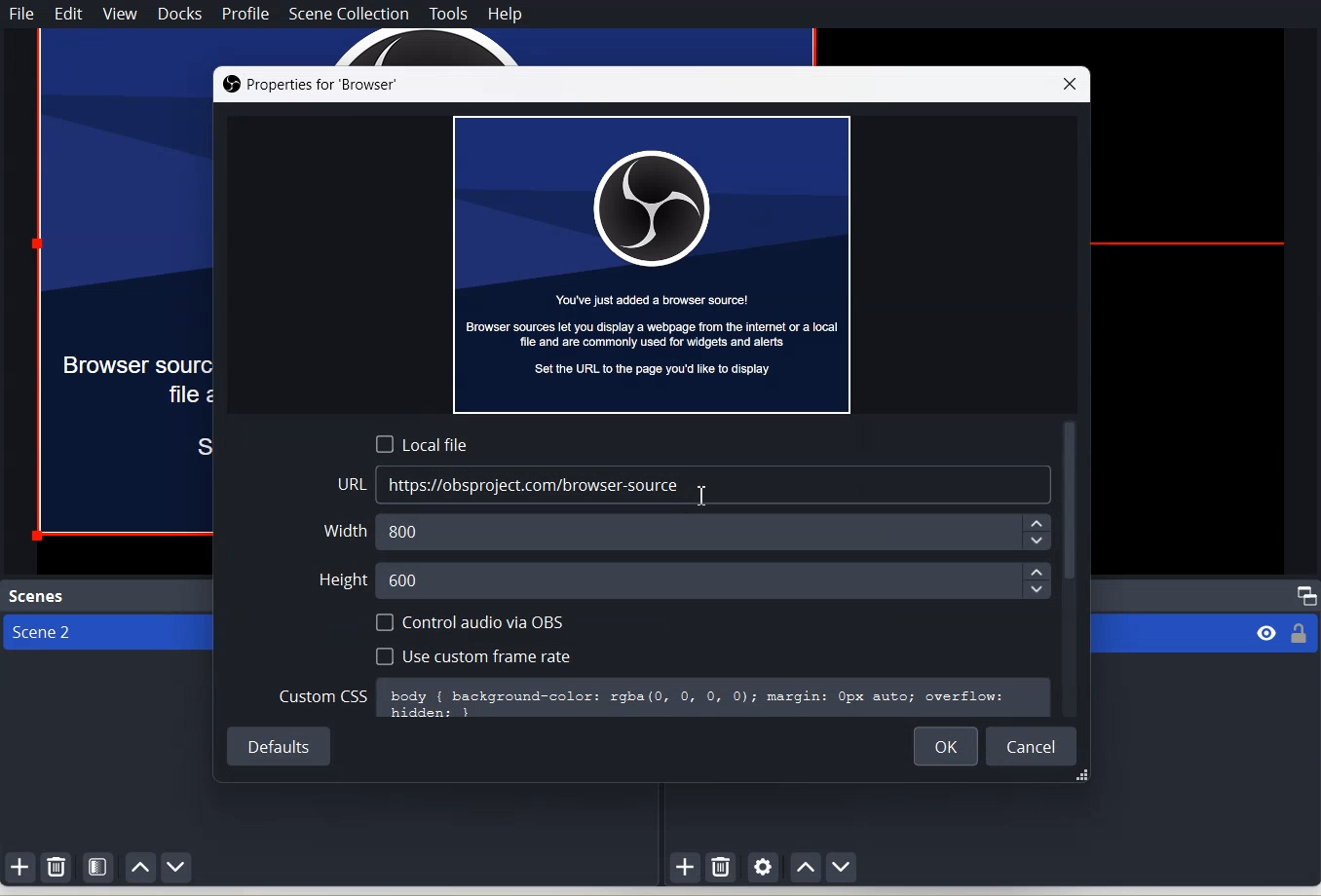  What do you see at coordinates (721, 533) in the screenshot?
I see `800` at bounding box center [721, 533].